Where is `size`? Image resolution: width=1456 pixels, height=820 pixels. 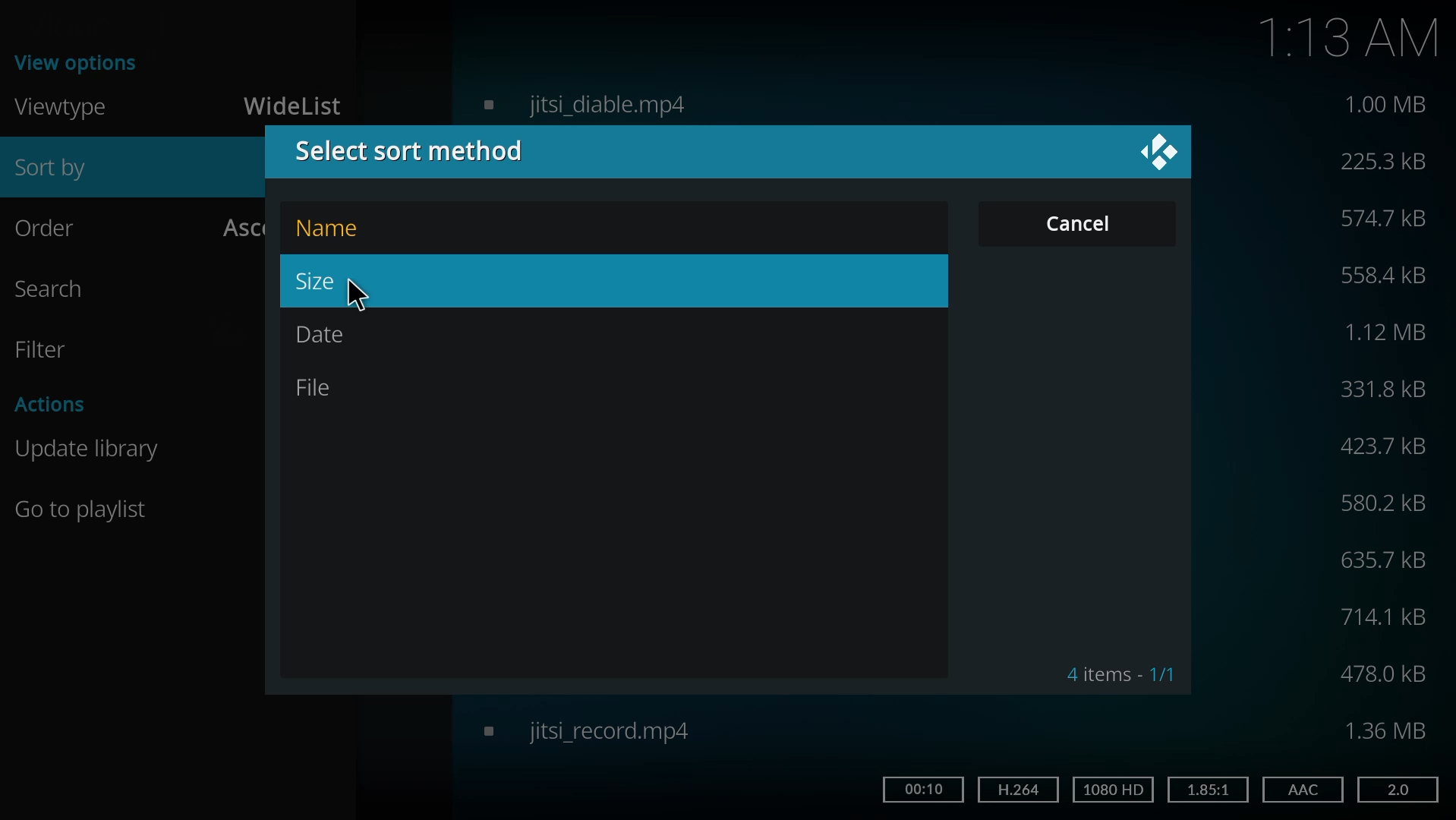
size is located at coordinates (1383, 104).